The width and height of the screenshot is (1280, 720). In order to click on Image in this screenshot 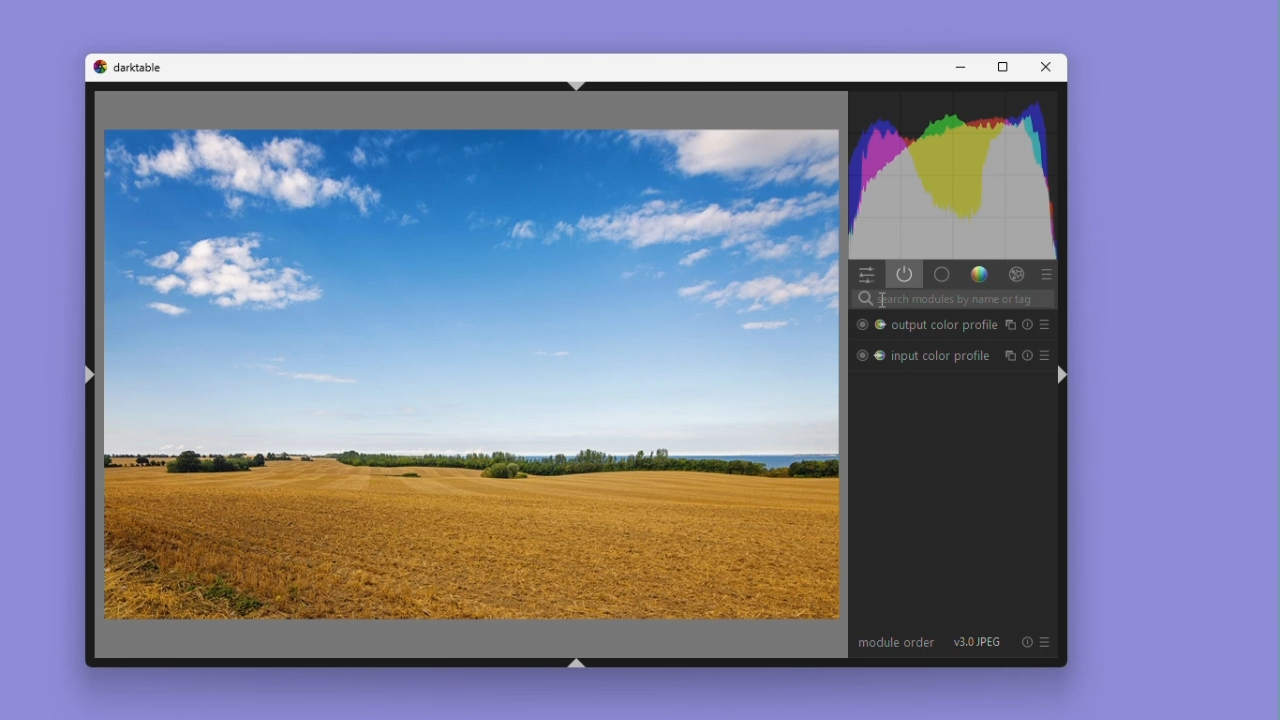, I will do `click(472, 375)`.